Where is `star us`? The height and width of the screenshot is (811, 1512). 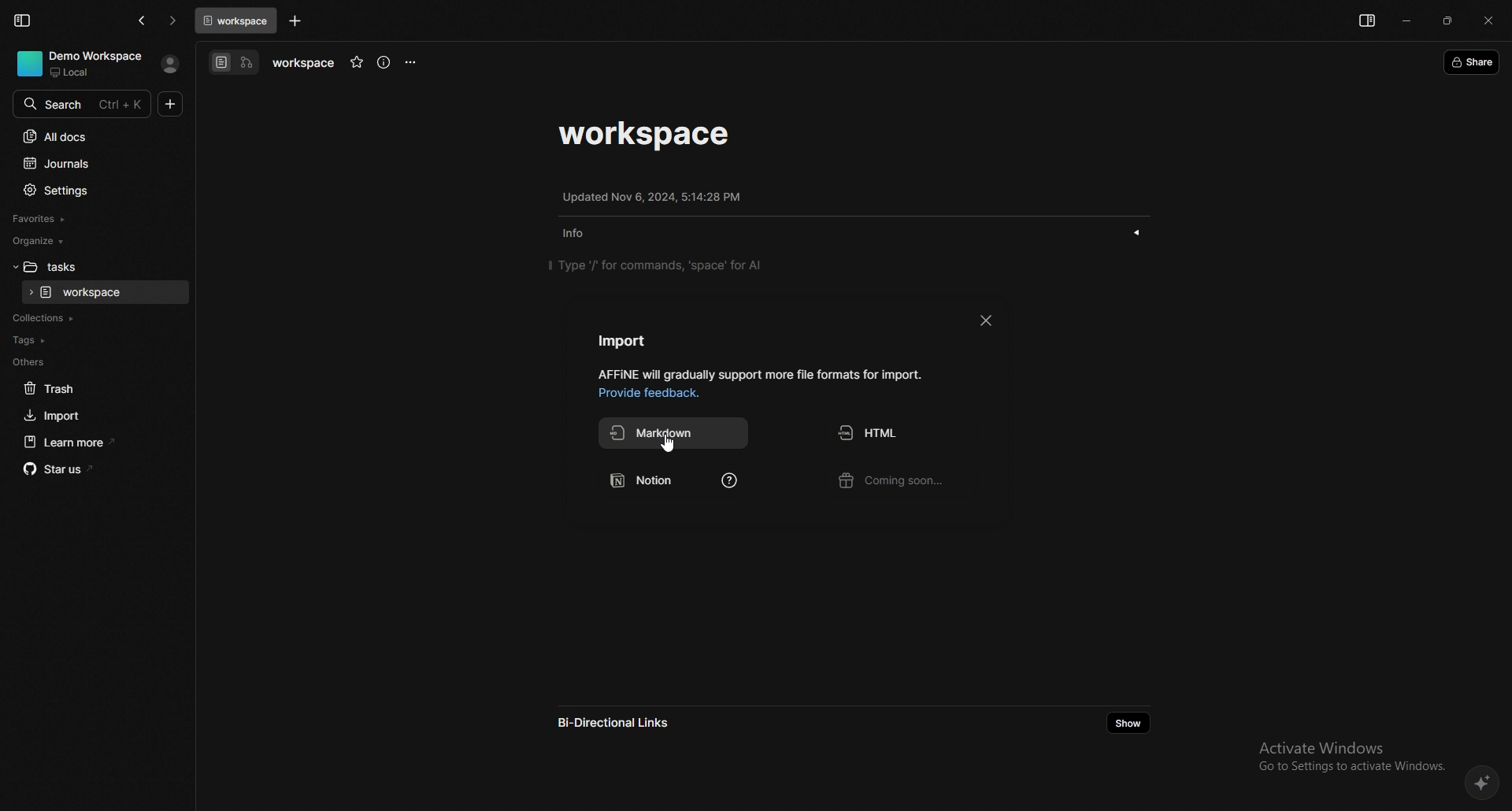
star us is located at coordinates (95, 469).